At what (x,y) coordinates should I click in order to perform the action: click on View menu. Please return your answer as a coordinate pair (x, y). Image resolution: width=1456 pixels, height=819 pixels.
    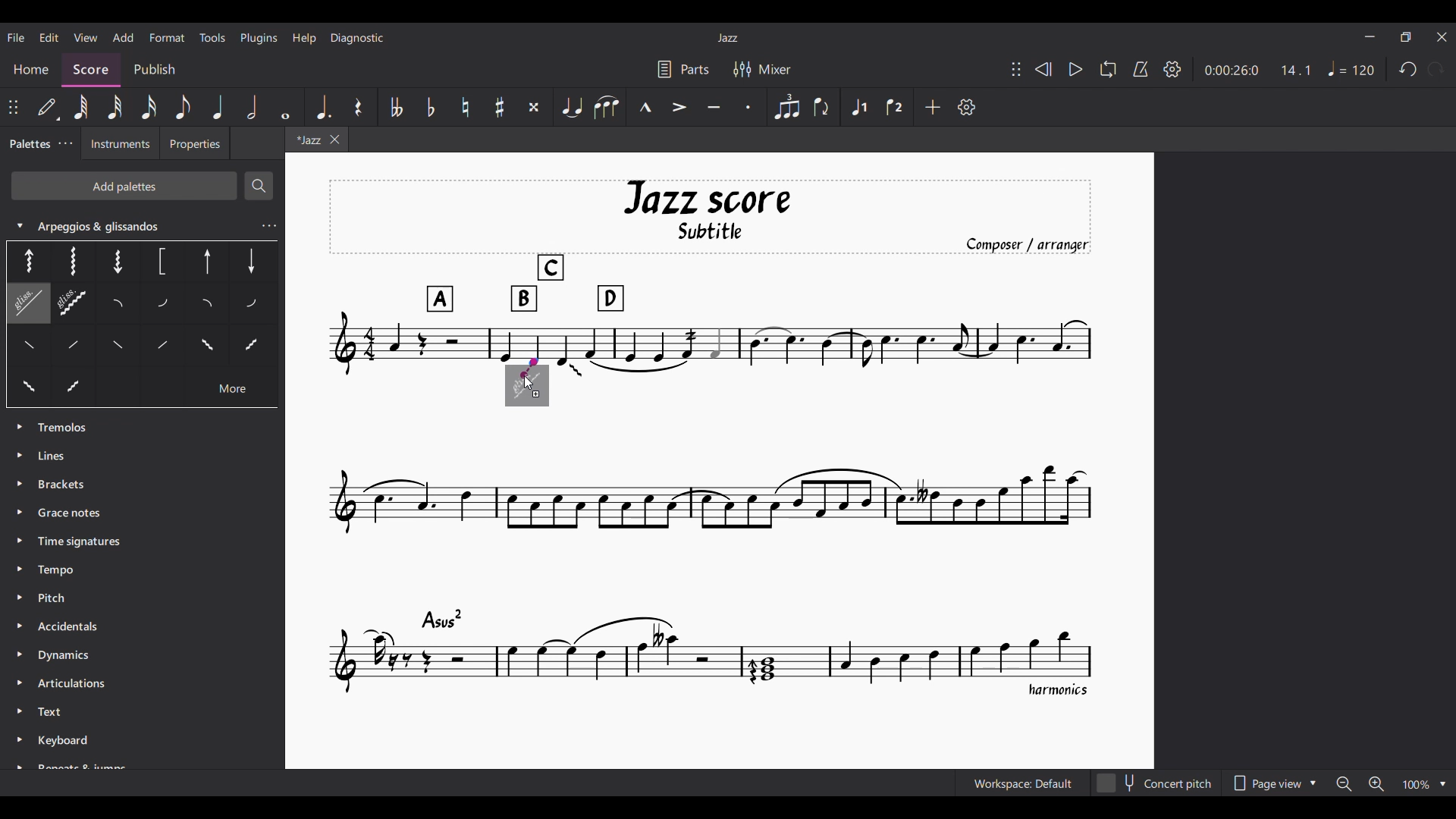
    Looking at the image, I should click on (85, 37).